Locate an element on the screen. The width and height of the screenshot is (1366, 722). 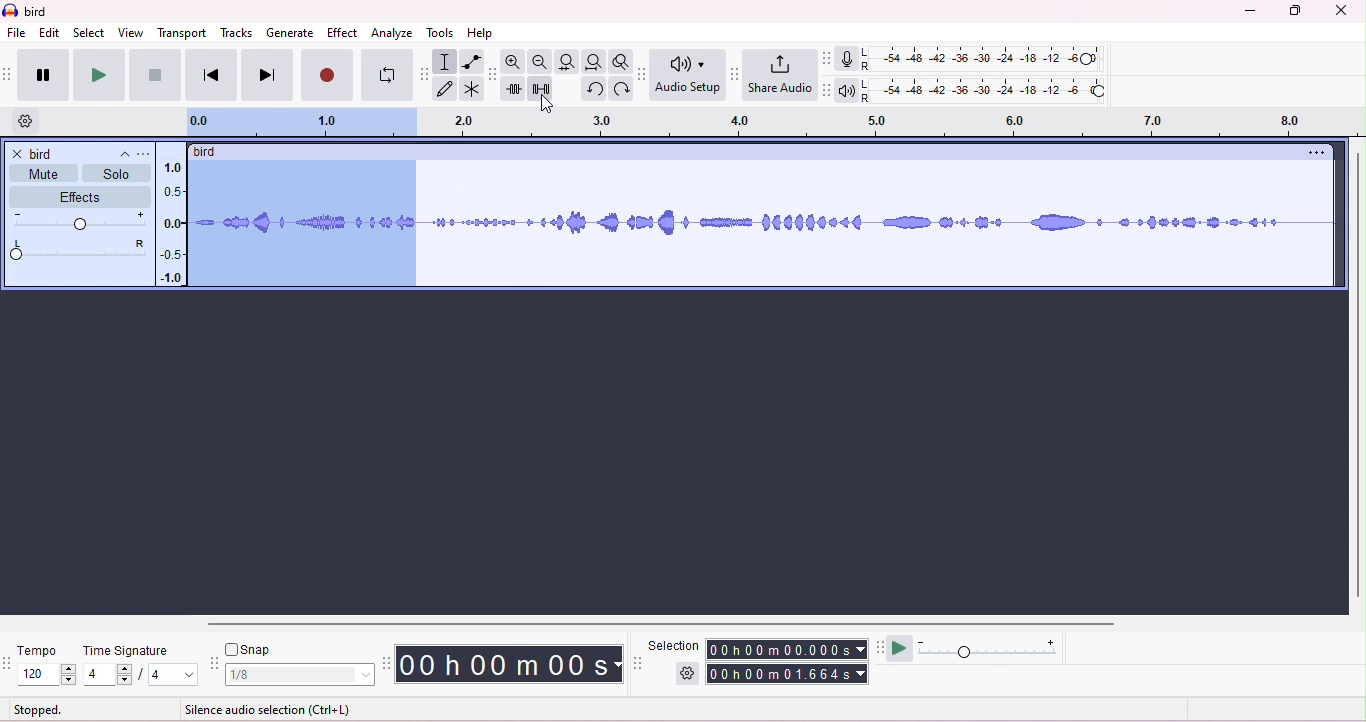
audio set up tool bar is located at coordinates (644, 74).